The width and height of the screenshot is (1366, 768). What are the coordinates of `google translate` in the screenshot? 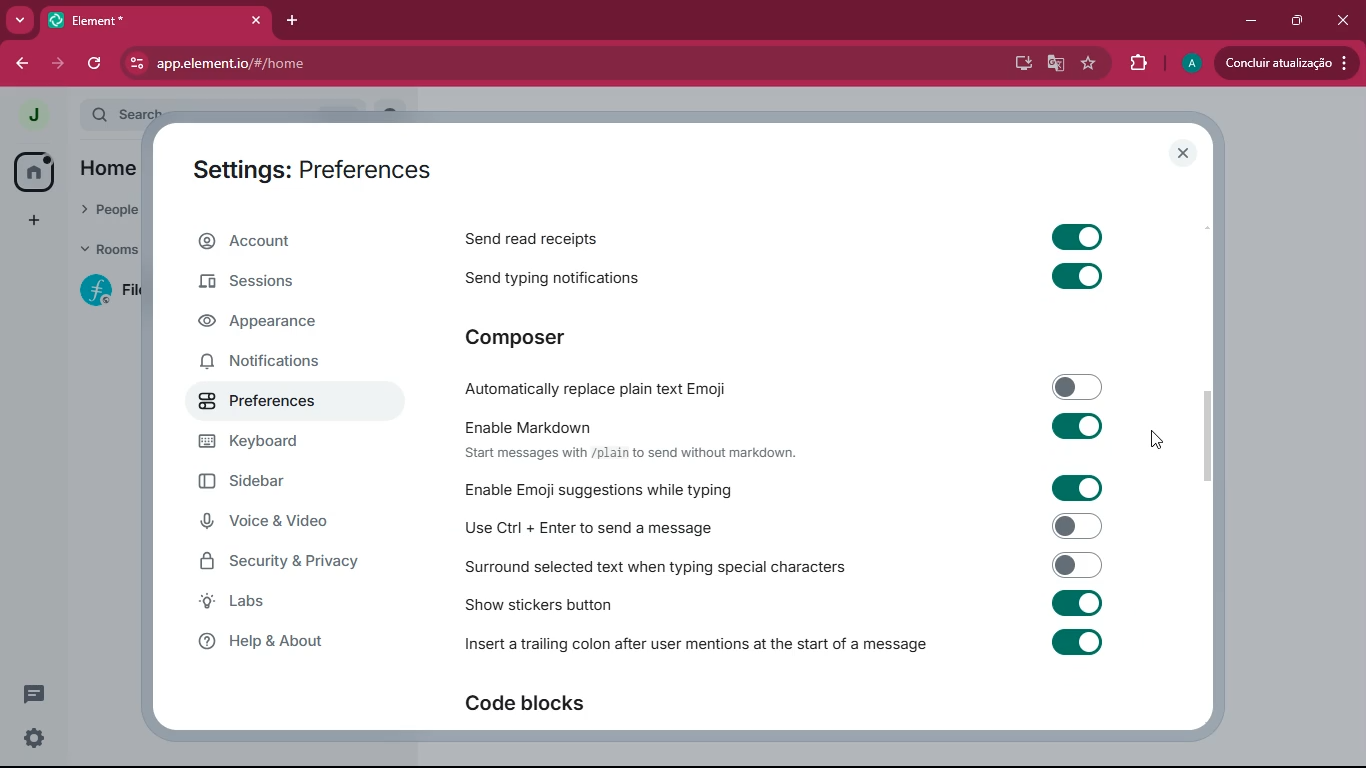 It's located at (1054, 66).